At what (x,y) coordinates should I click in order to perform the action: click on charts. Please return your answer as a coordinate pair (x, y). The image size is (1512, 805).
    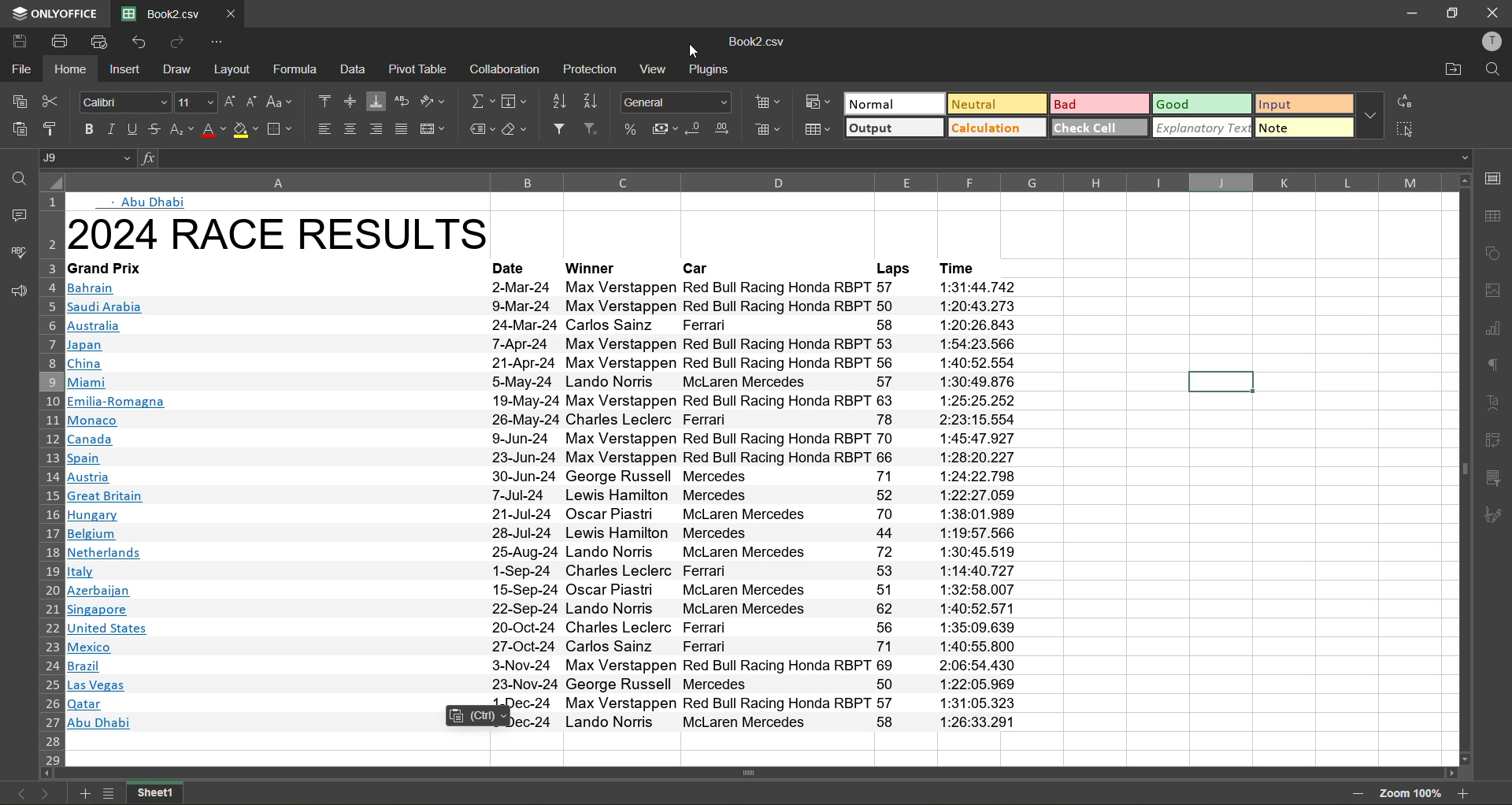
    Looking at the image, I should click on (1492, 331).